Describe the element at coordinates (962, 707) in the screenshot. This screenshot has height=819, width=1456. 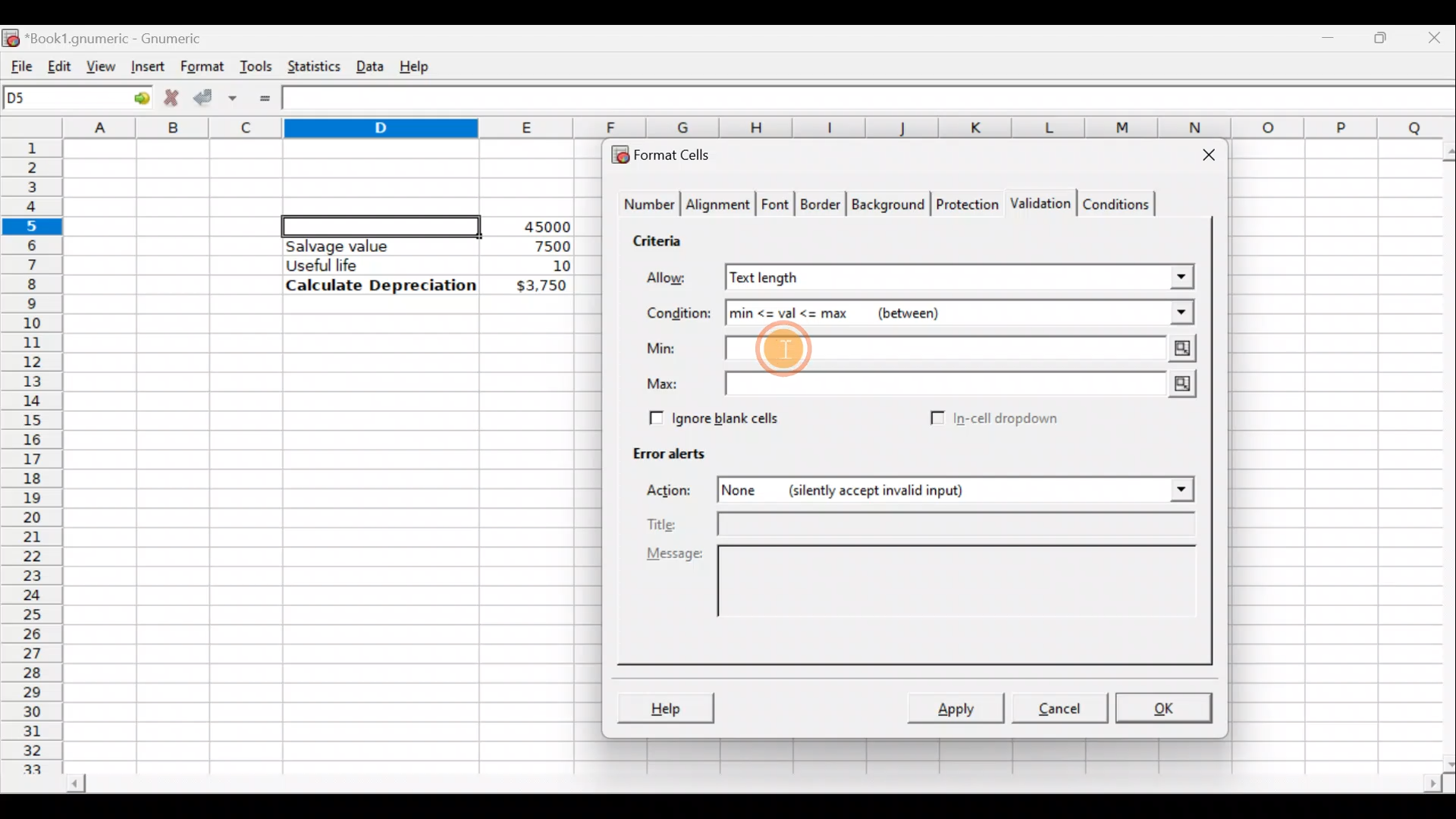
I see `Apply` at that location.